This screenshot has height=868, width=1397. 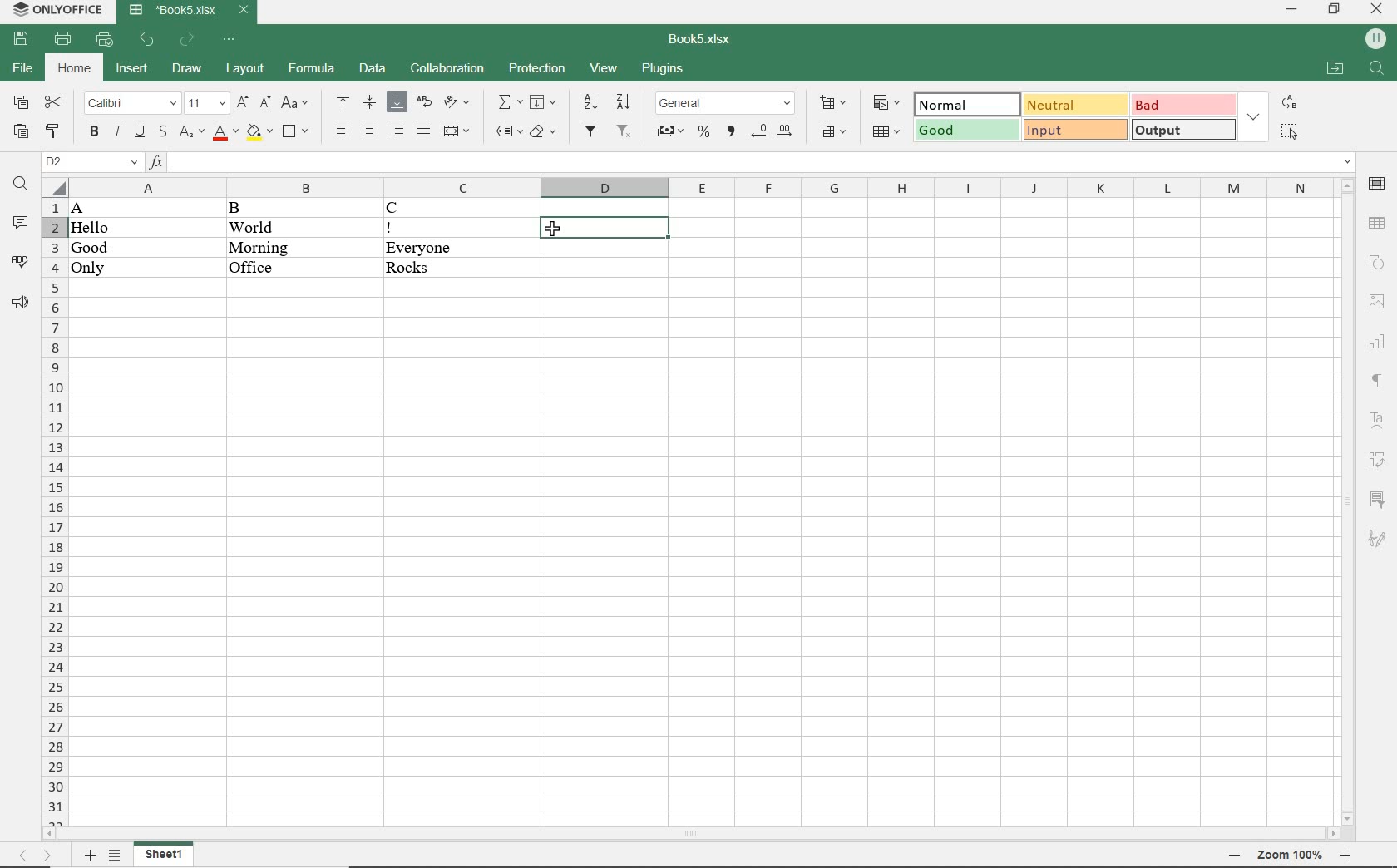 I want to click on filter, so click(x=590, y=133).